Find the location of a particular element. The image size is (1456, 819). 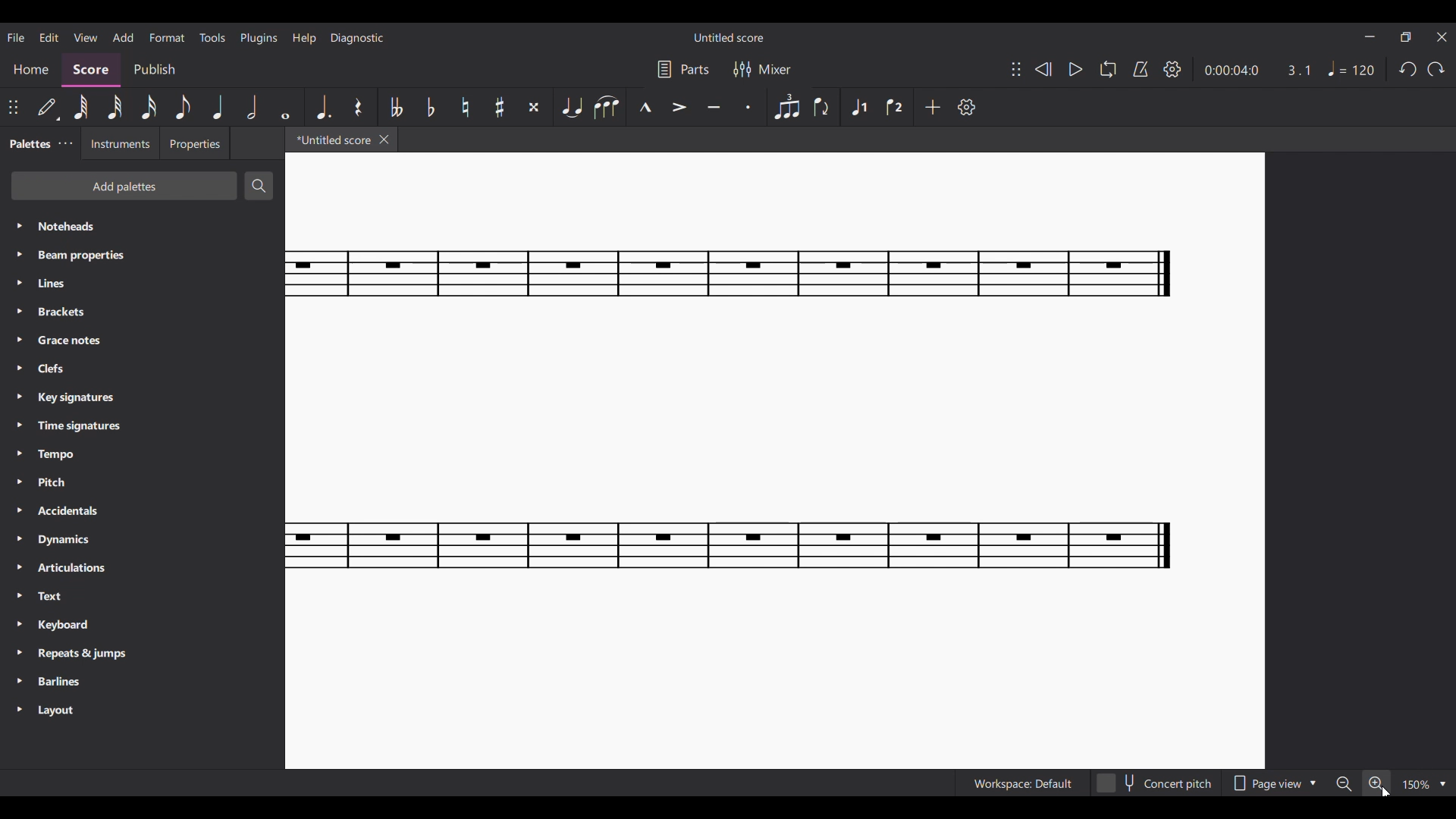

Default is located at coordinates (47, 108).